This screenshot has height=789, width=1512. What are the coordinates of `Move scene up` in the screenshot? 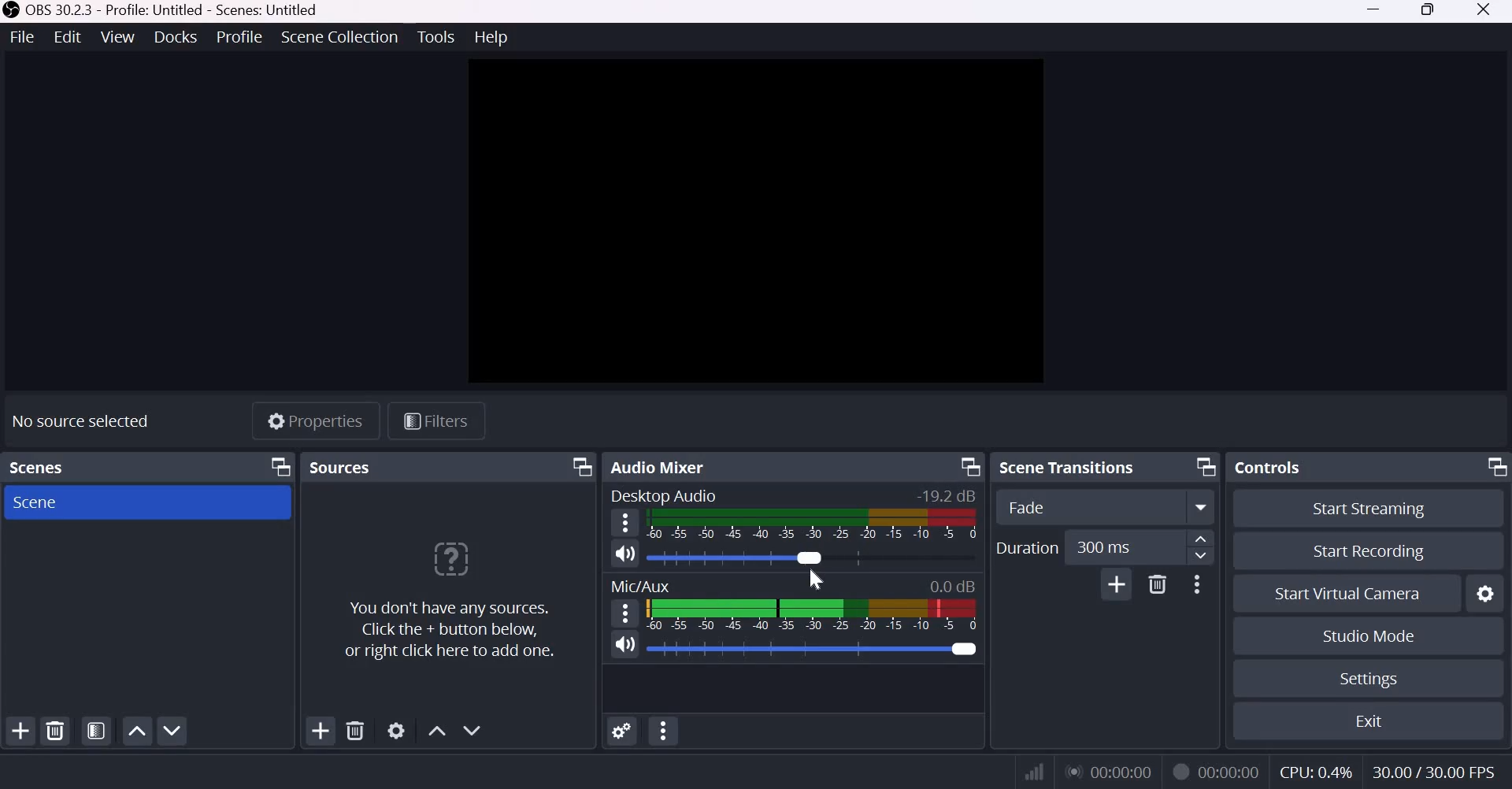 It's located at (137, 731).